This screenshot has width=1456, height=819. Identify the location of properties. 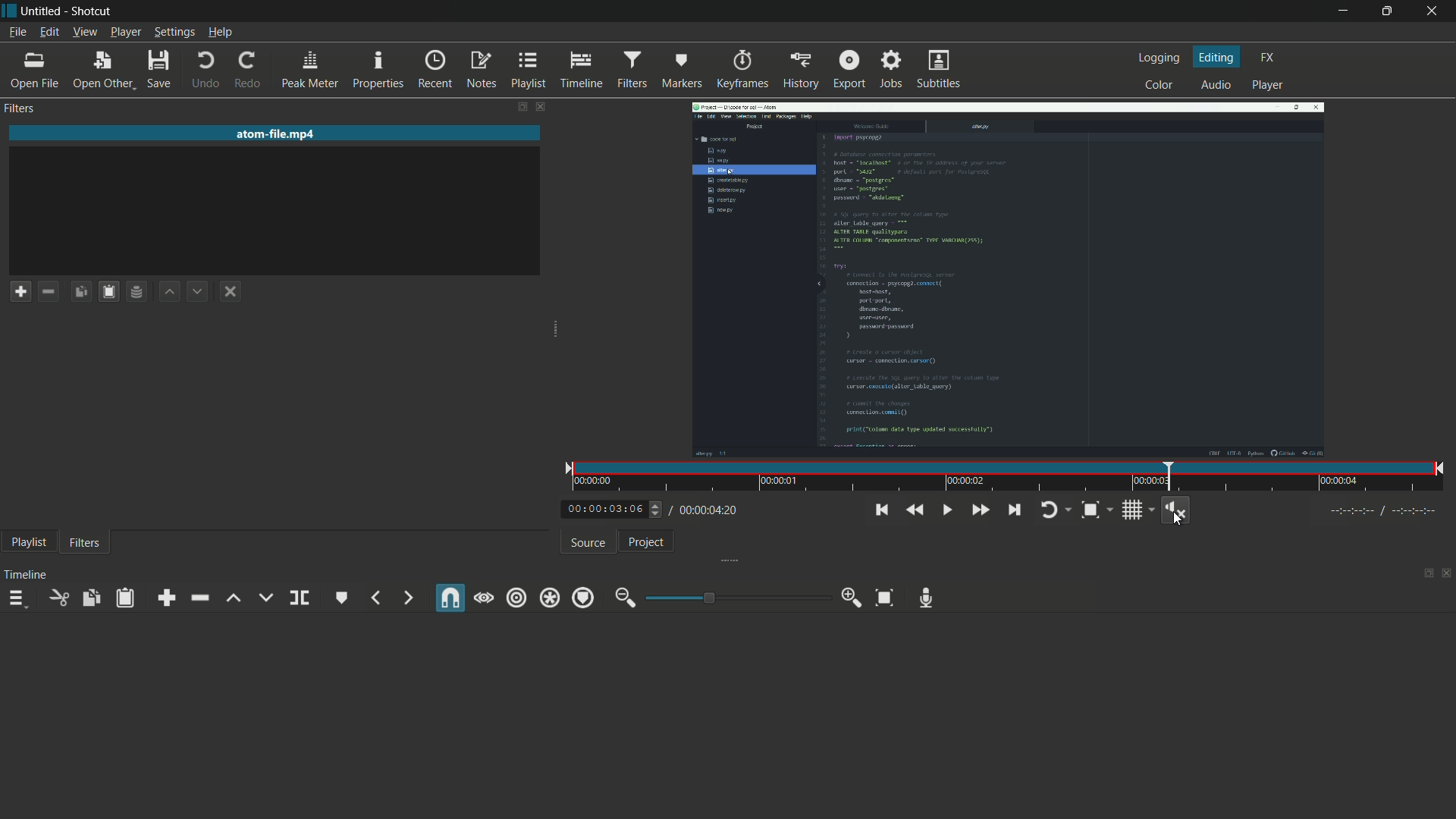
(377, 71).